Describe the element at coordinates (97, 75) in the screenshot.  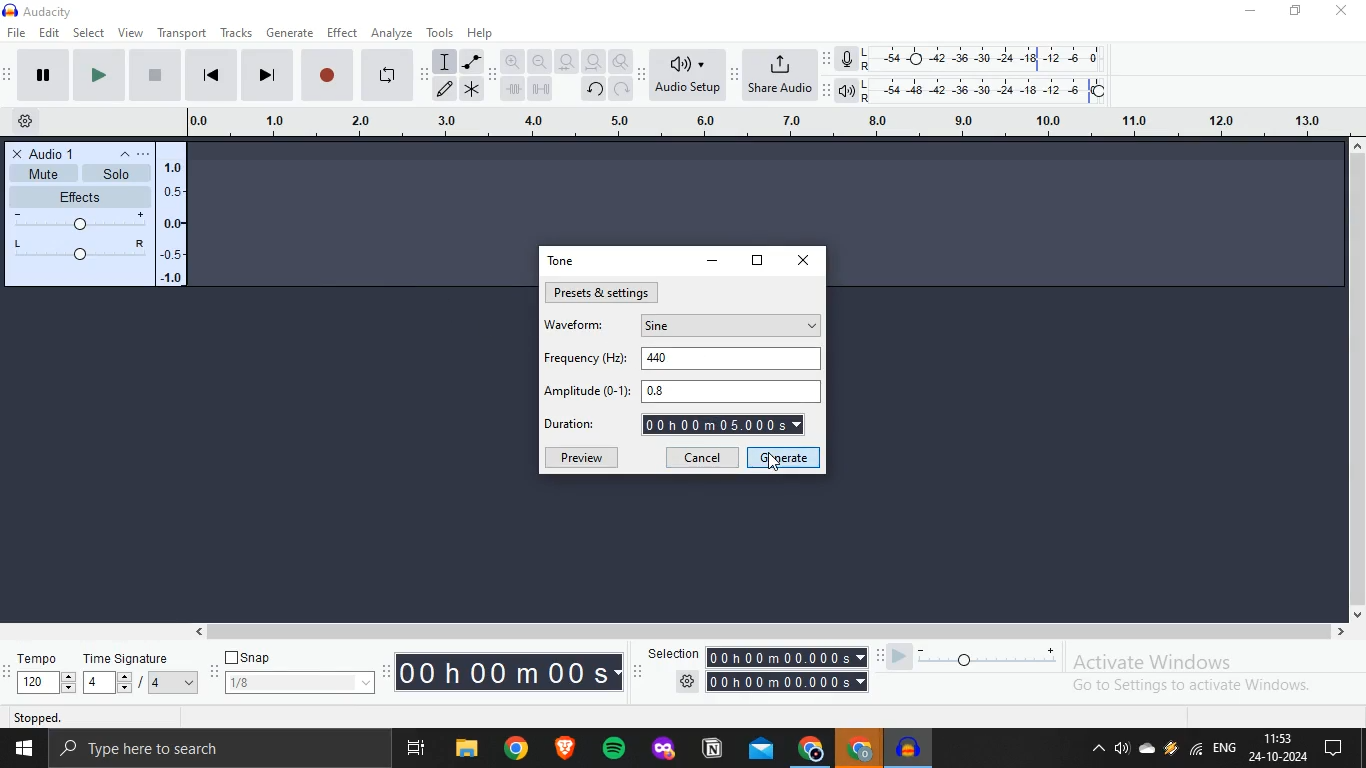
I see `Forward` at that location.